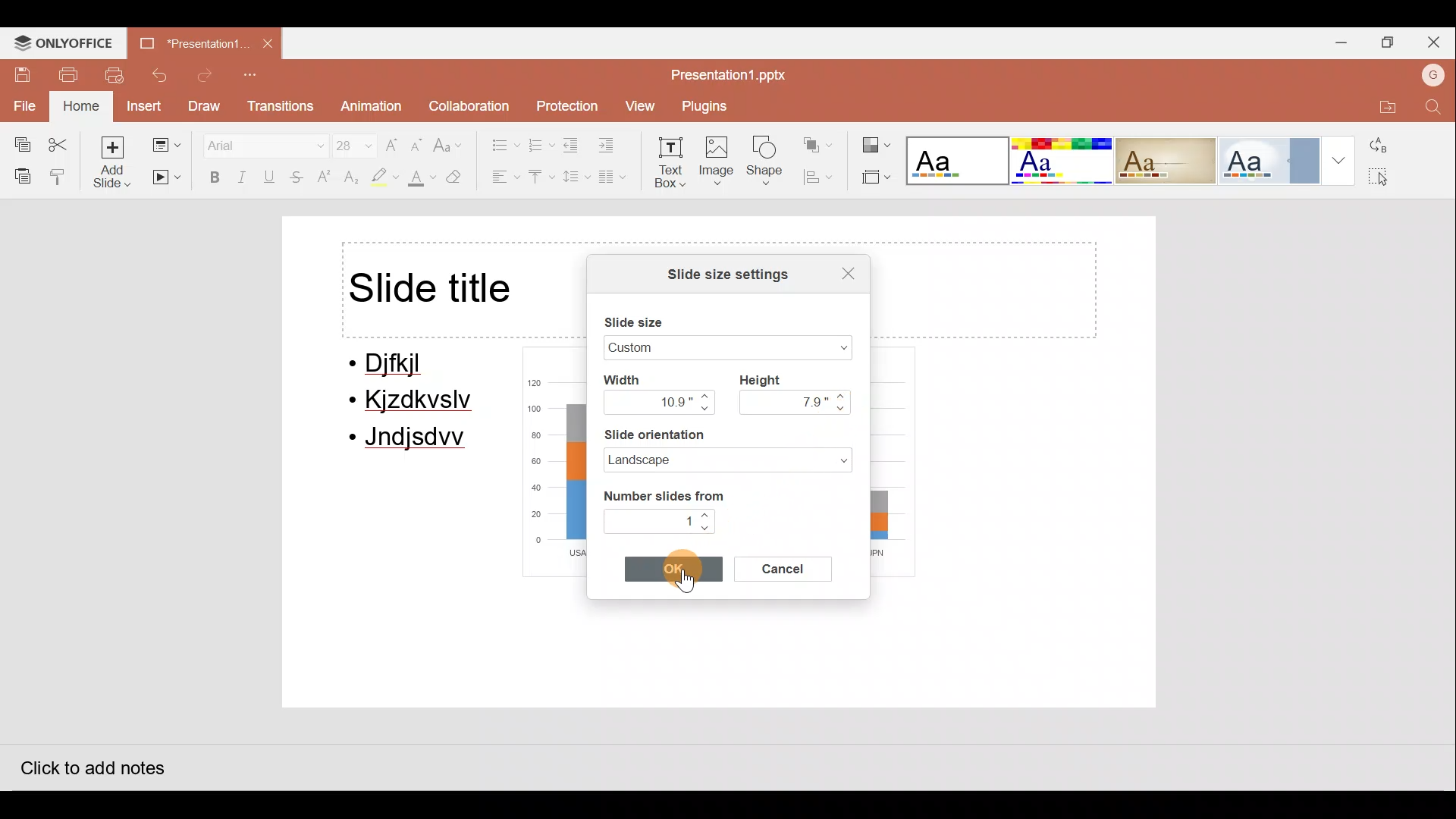 The height and width of the screenshot is (819, 1456). Describe the element at coordinates (1275, 159) in the screenshot. I see `Theme 4` at that location.